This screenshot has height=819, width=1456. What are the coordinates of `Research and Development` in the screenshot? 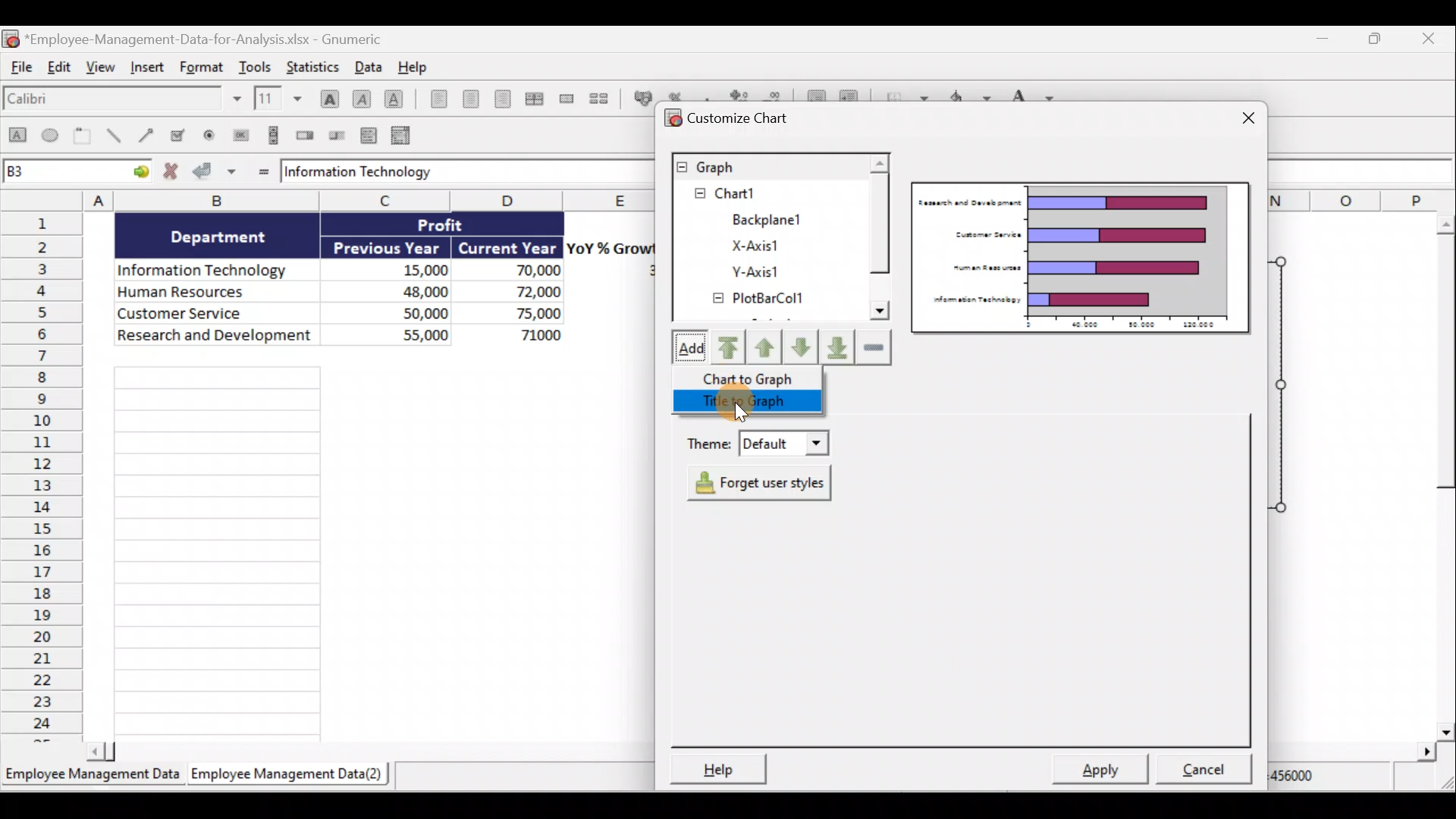 It's located at (215, 339).